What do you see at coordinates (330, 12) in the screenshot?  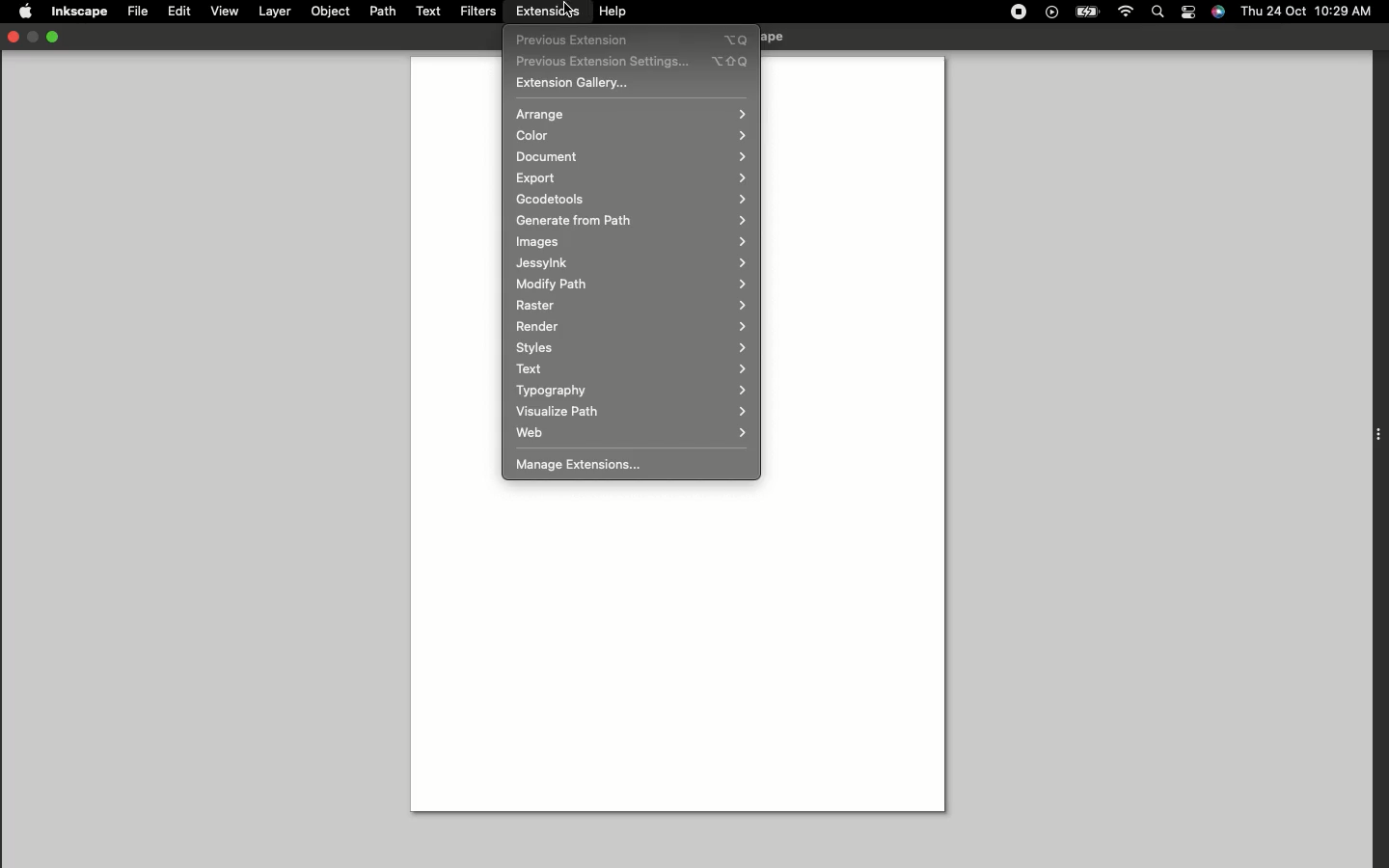 I see `Object` at bounding box center [330, 12].